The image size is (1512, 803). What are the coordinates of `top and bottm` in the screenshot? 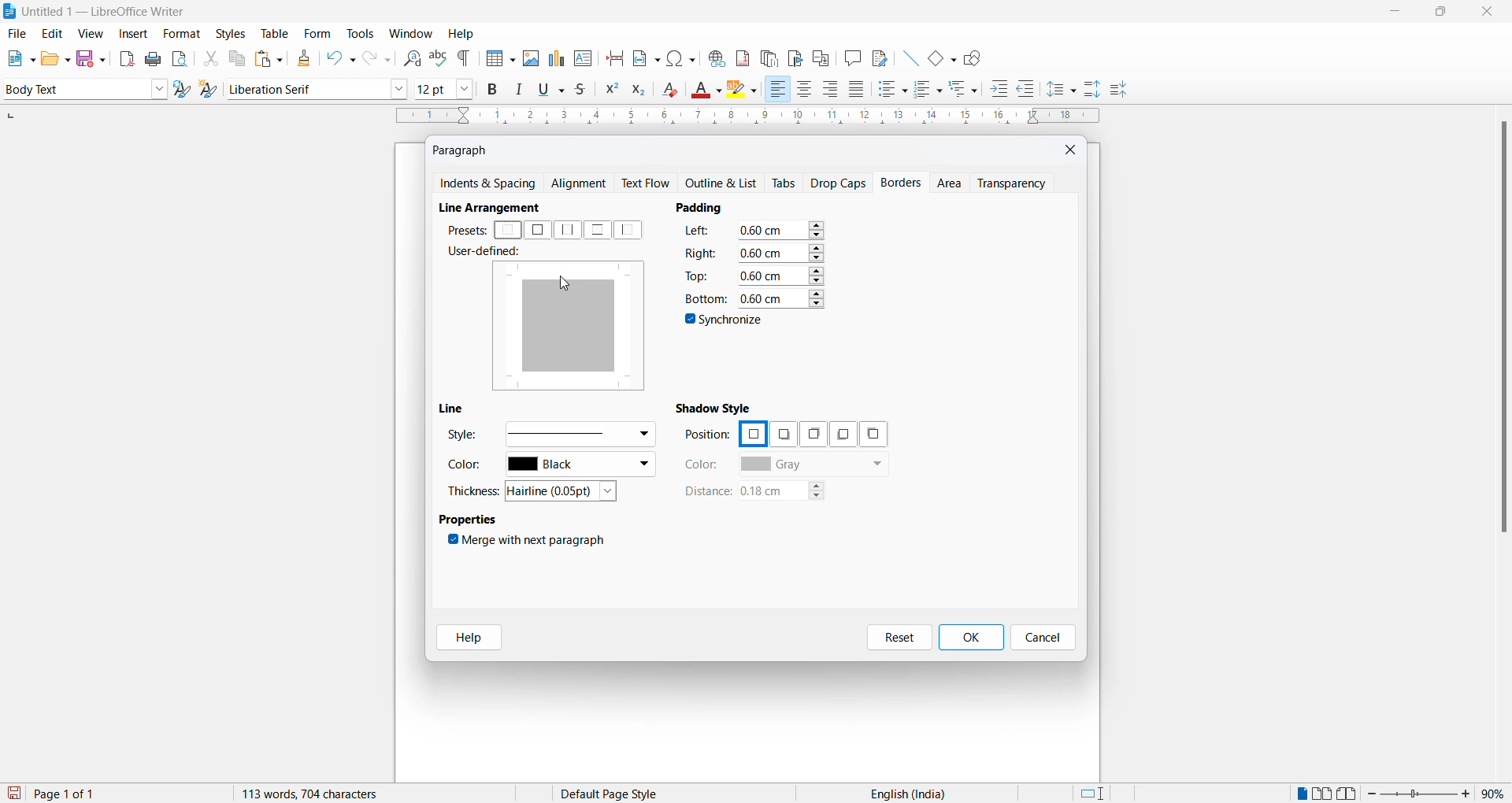 It's located at (597, 230).